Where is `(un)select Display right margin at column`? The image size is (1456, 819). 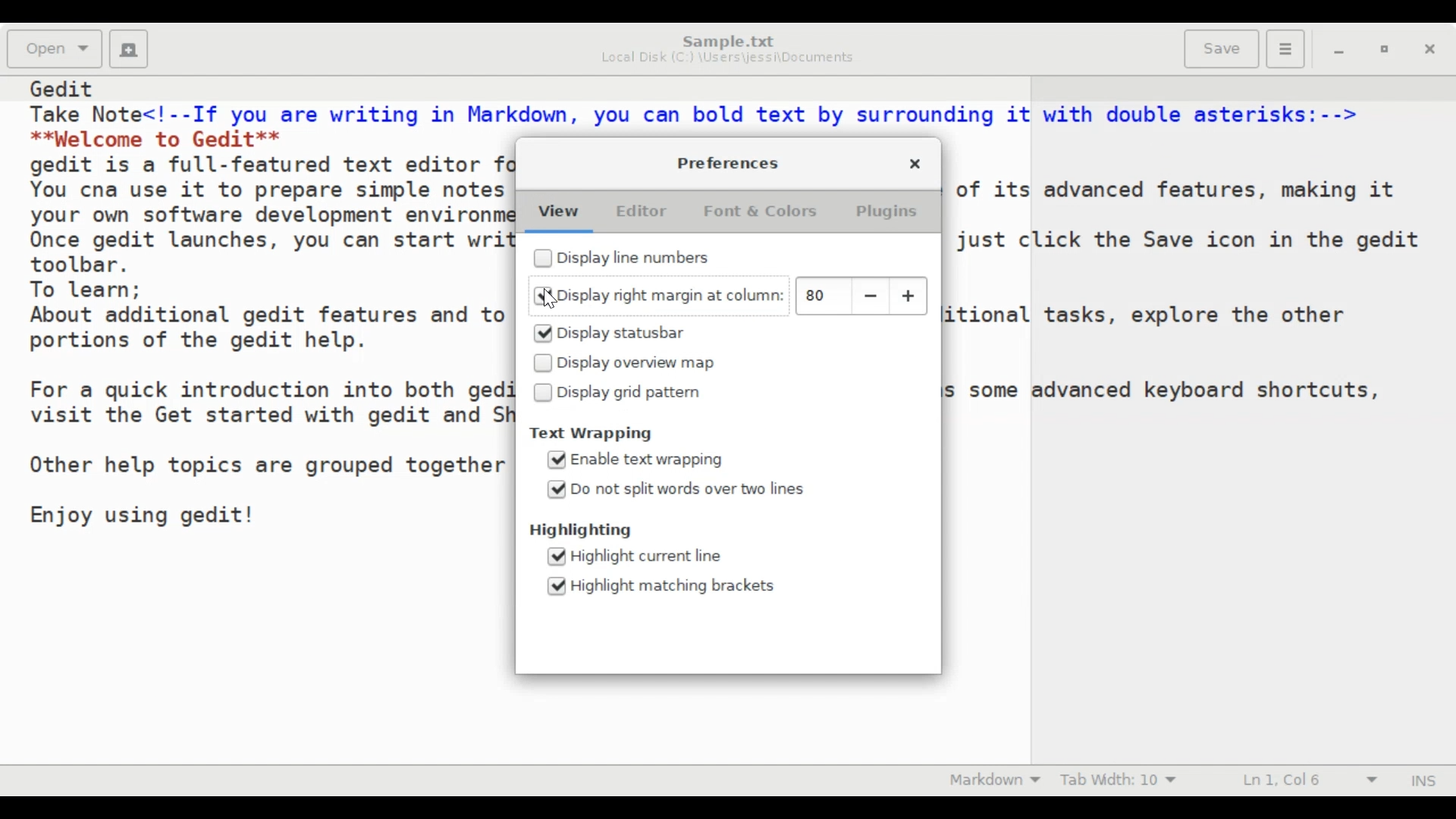
(un)select Display right margin at column is located at coordinates (657, 296).